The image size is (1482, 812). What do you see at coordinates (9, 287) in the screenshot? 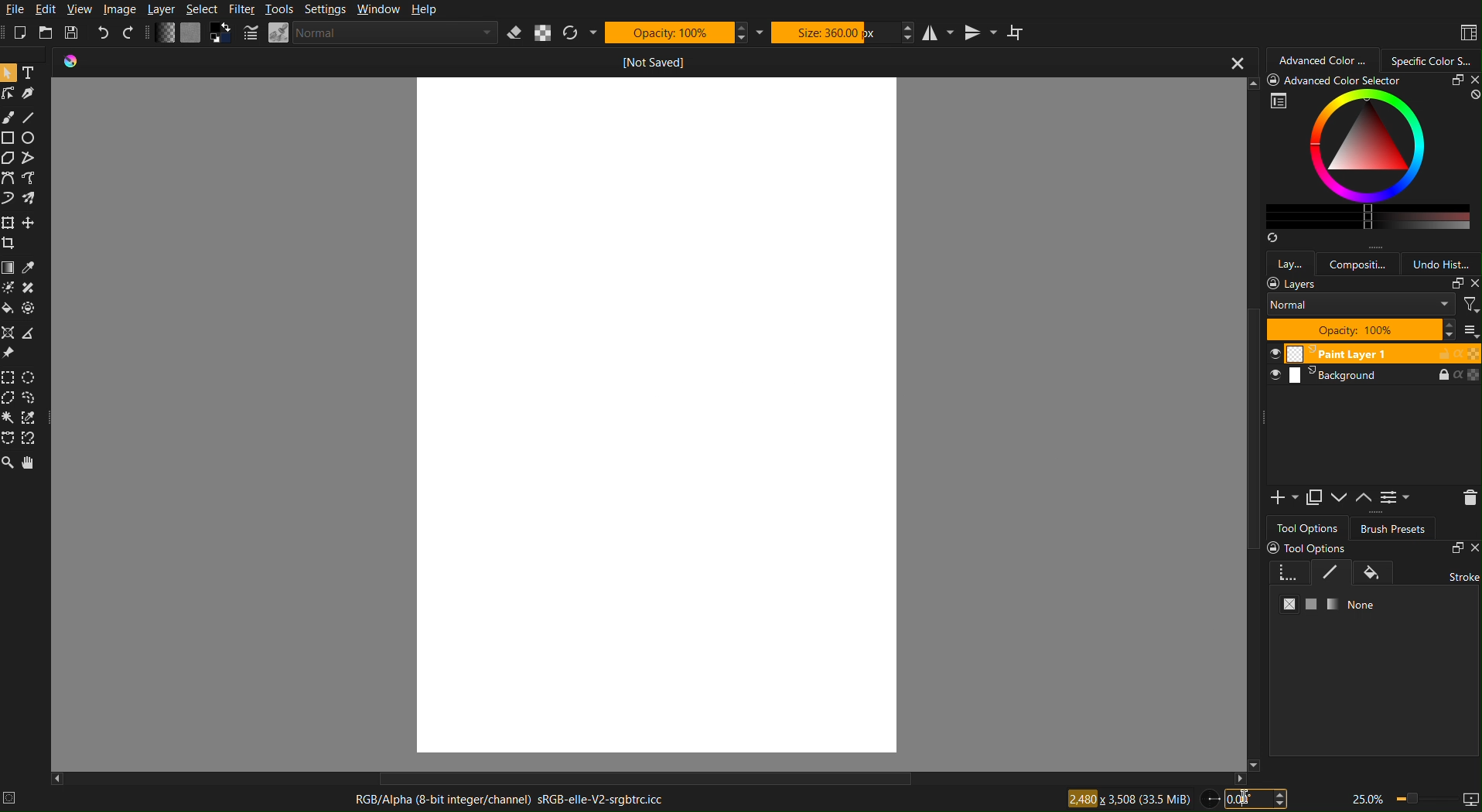
I see `Dodge Tool` at bounding box center [9, 287].